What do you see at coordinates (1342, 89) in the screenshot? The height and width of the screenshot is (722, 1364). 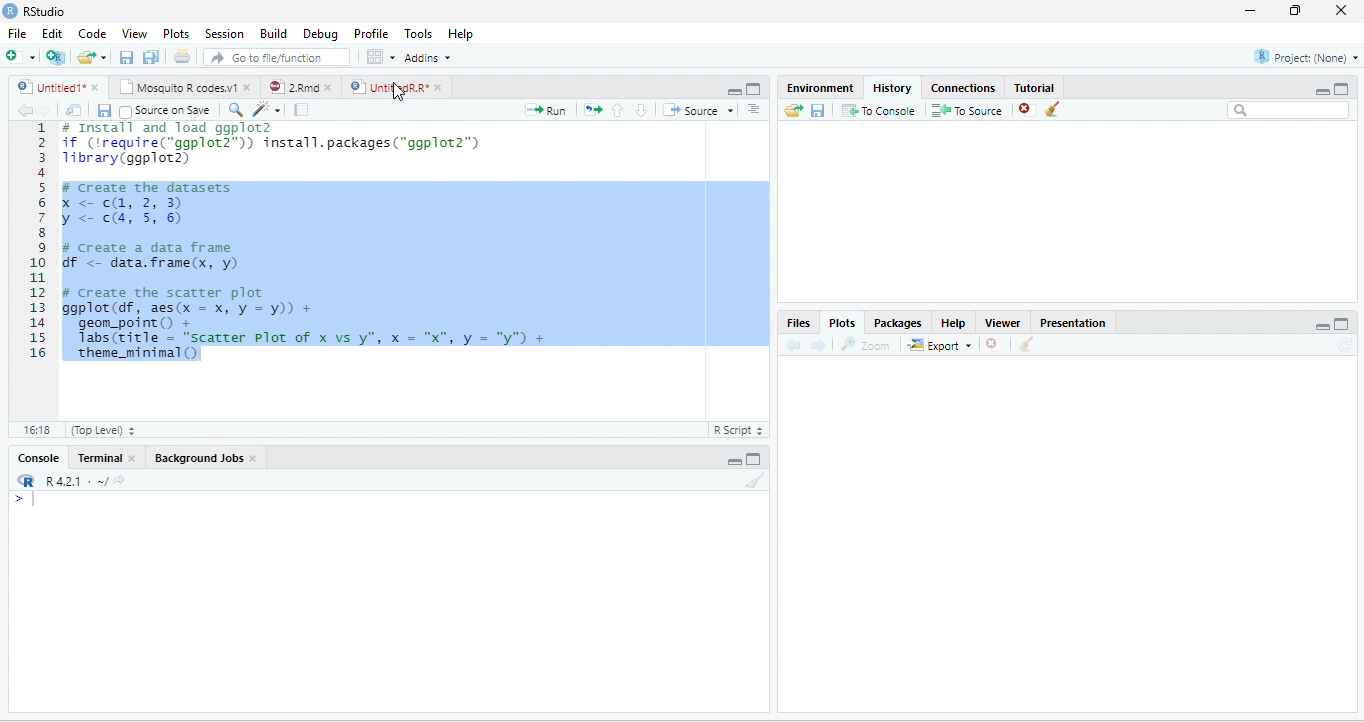 I see `Maximize` at bounding box center [1342, 89].